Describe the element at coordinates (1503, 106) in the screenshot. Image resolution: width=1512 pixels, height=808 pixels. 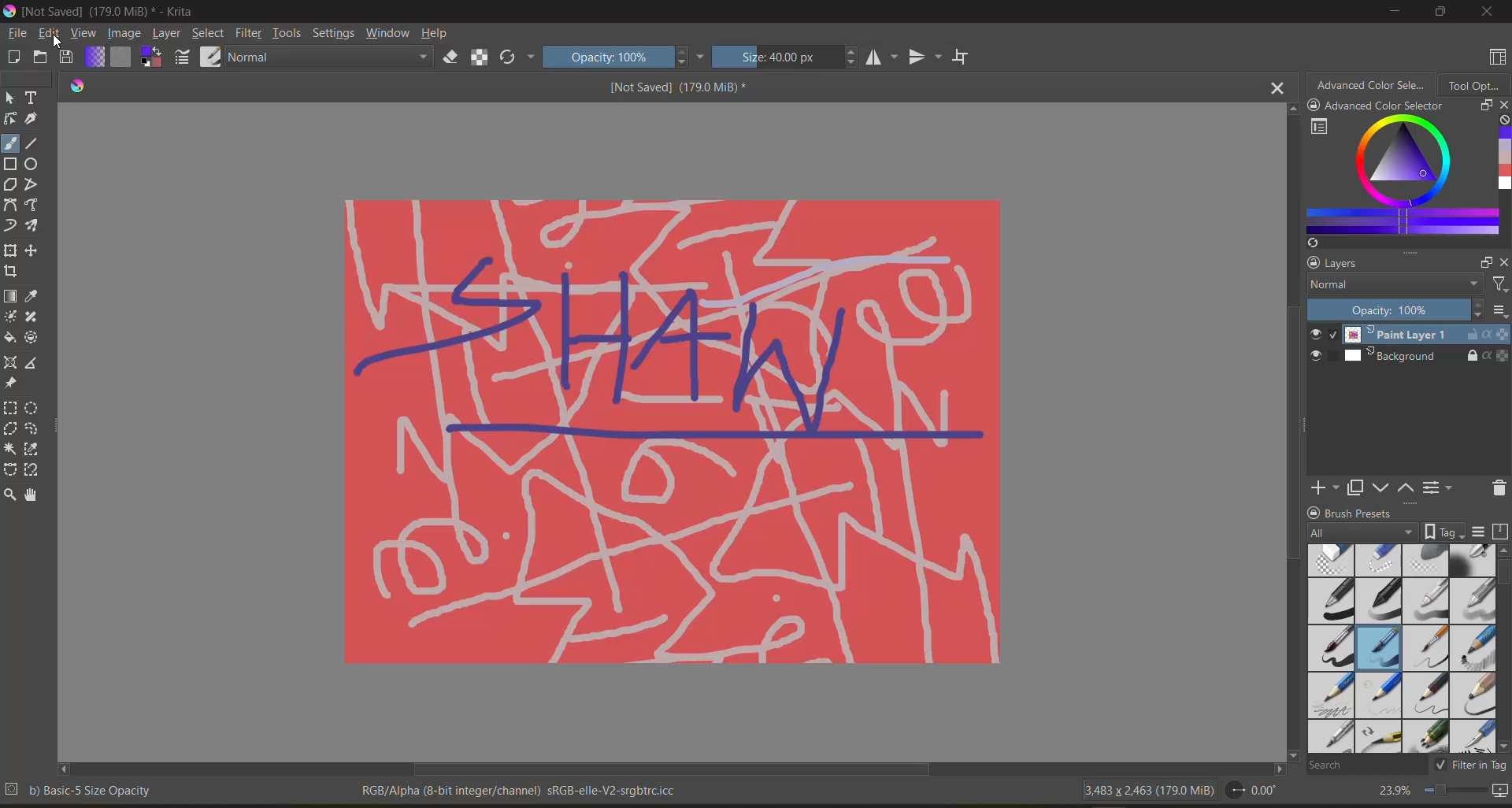
I see `close docker` at that location.